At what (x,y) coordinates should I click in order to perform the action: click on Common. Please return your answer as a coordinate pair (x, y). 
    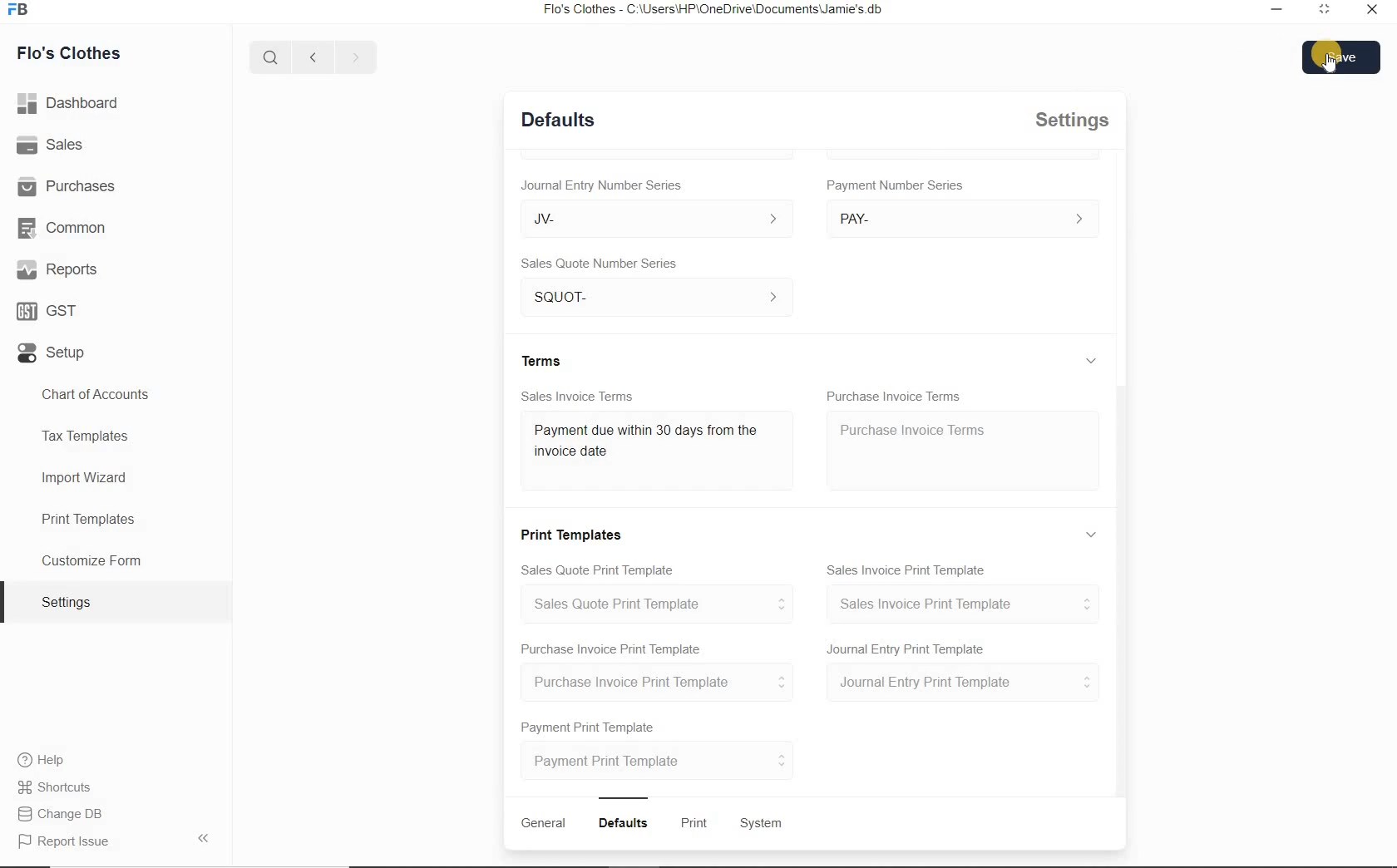
    Looking at the image, I should click on (61, 228).